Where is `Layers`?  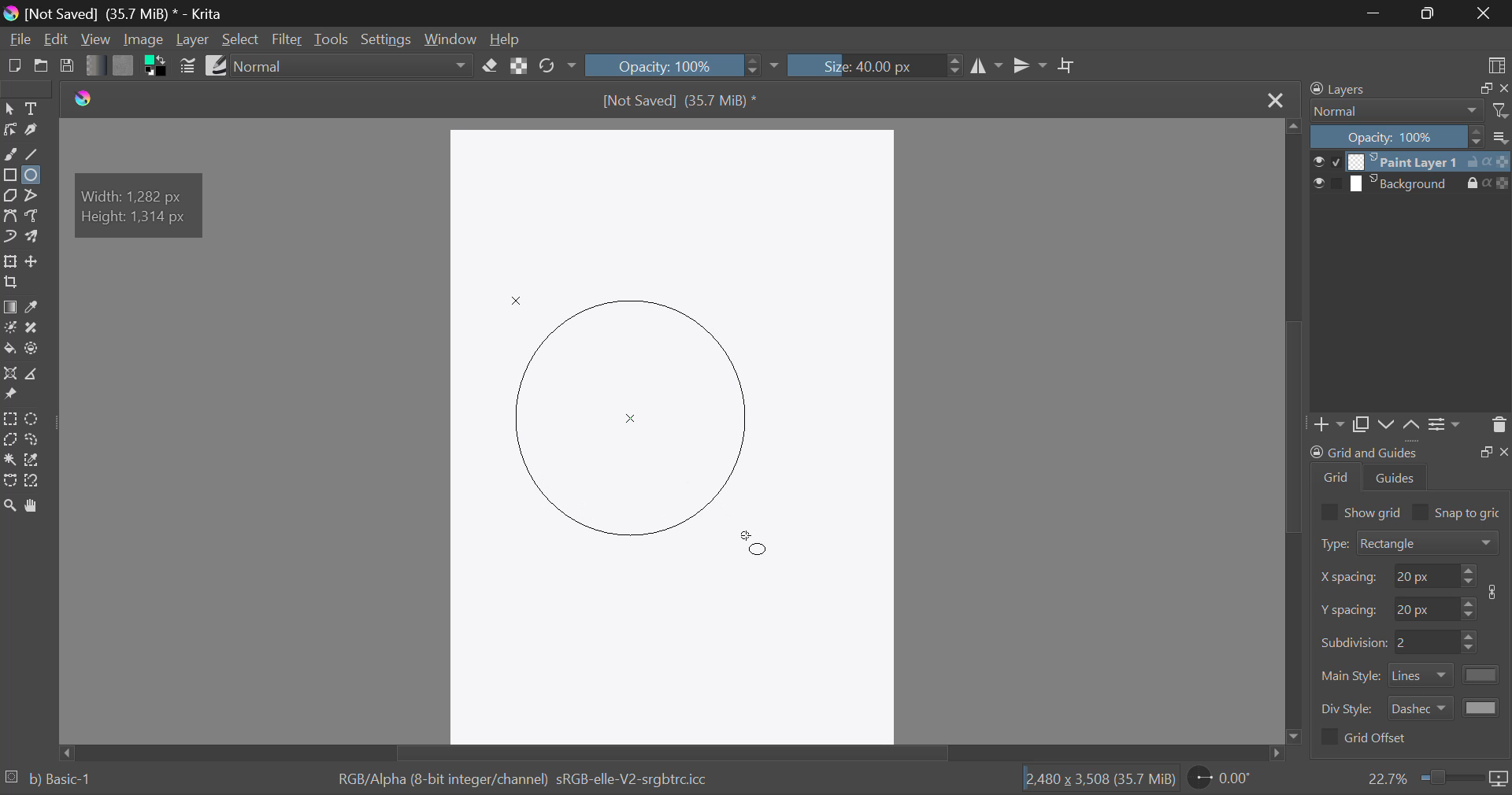
Layers is located at coordinates (1410, 173).